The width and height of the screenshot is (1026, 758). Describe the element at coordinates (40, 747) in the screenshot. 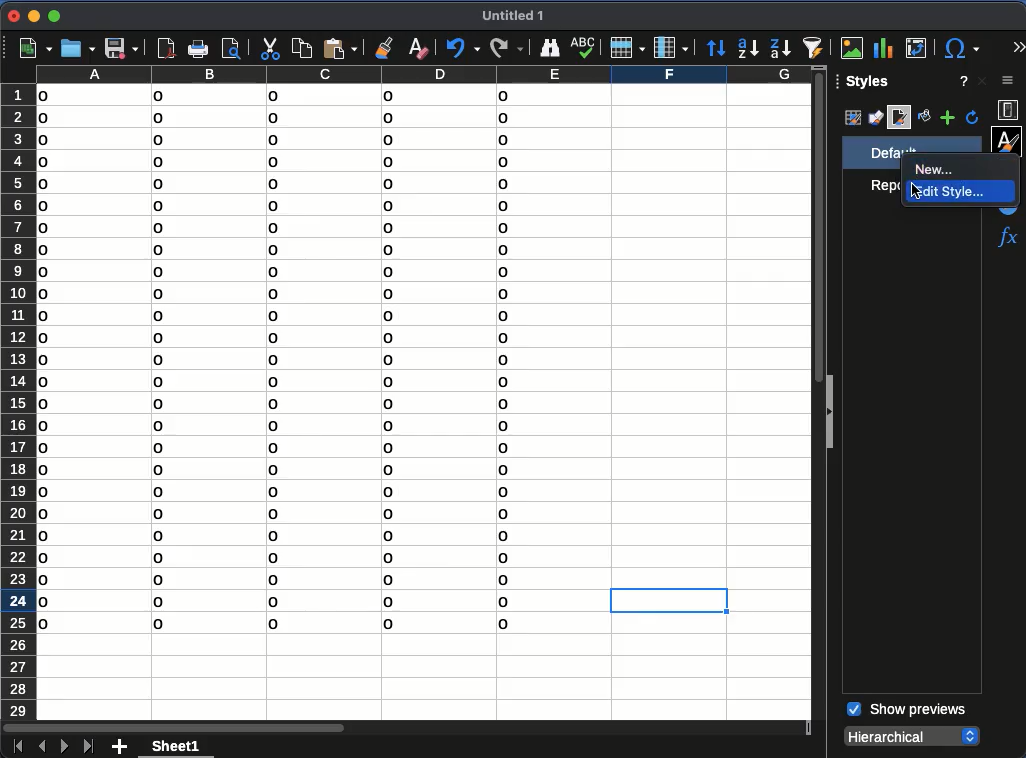

I see `previous sheet` at that location.